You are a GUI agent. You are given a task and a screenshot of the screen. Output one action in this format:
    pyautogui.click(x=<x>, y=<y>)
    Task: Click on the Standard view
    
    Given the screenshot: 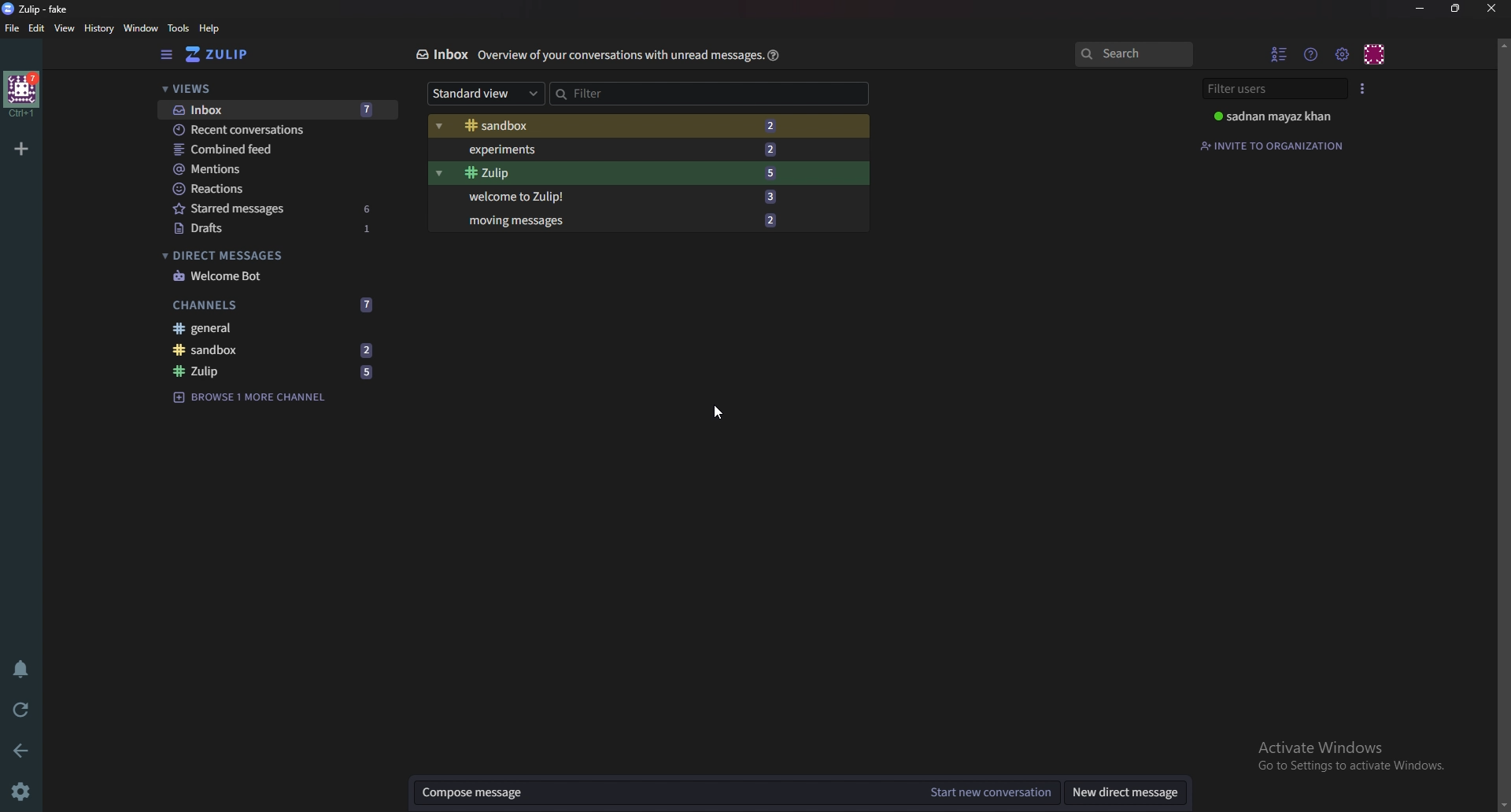 What is the action you would take?
    pyautogui.click(x=486, y=92)
    